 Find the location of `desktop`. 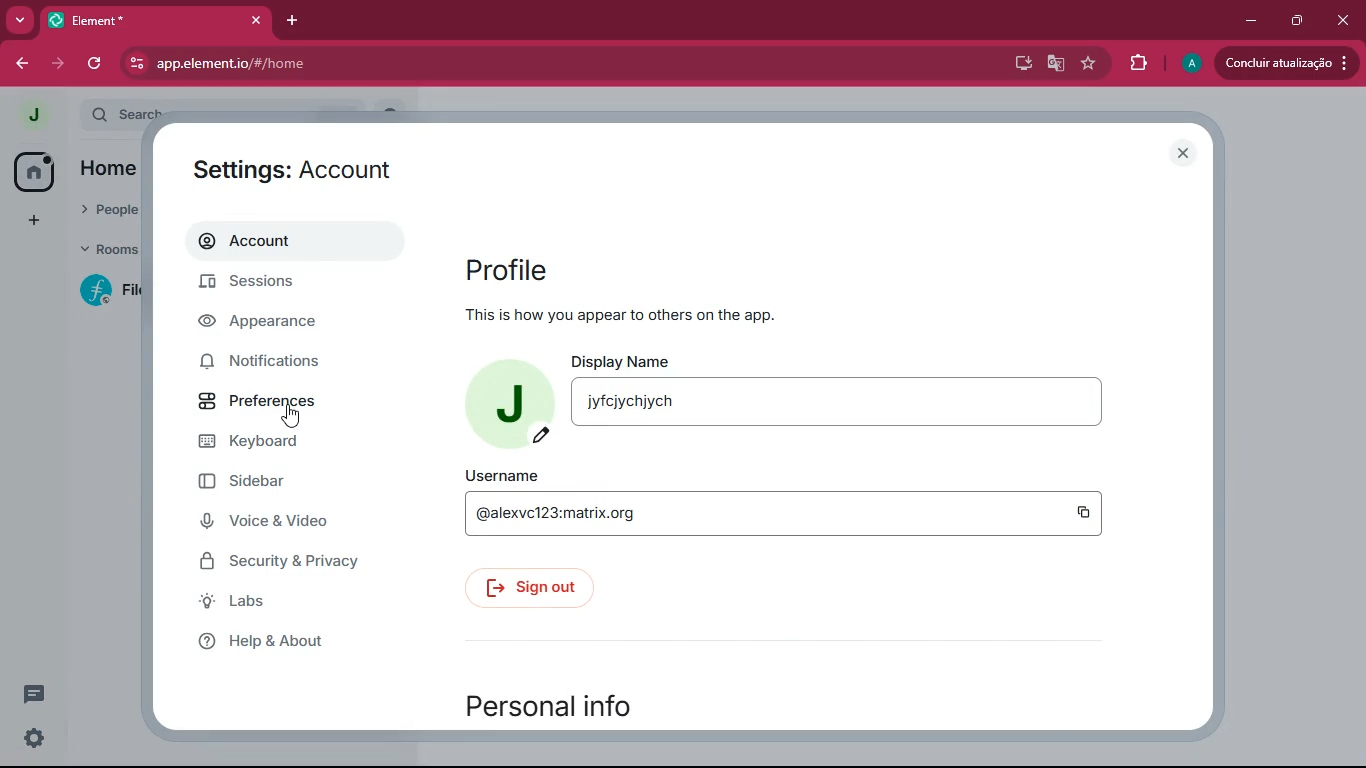

desktop is located at coordinates (1015, 63).